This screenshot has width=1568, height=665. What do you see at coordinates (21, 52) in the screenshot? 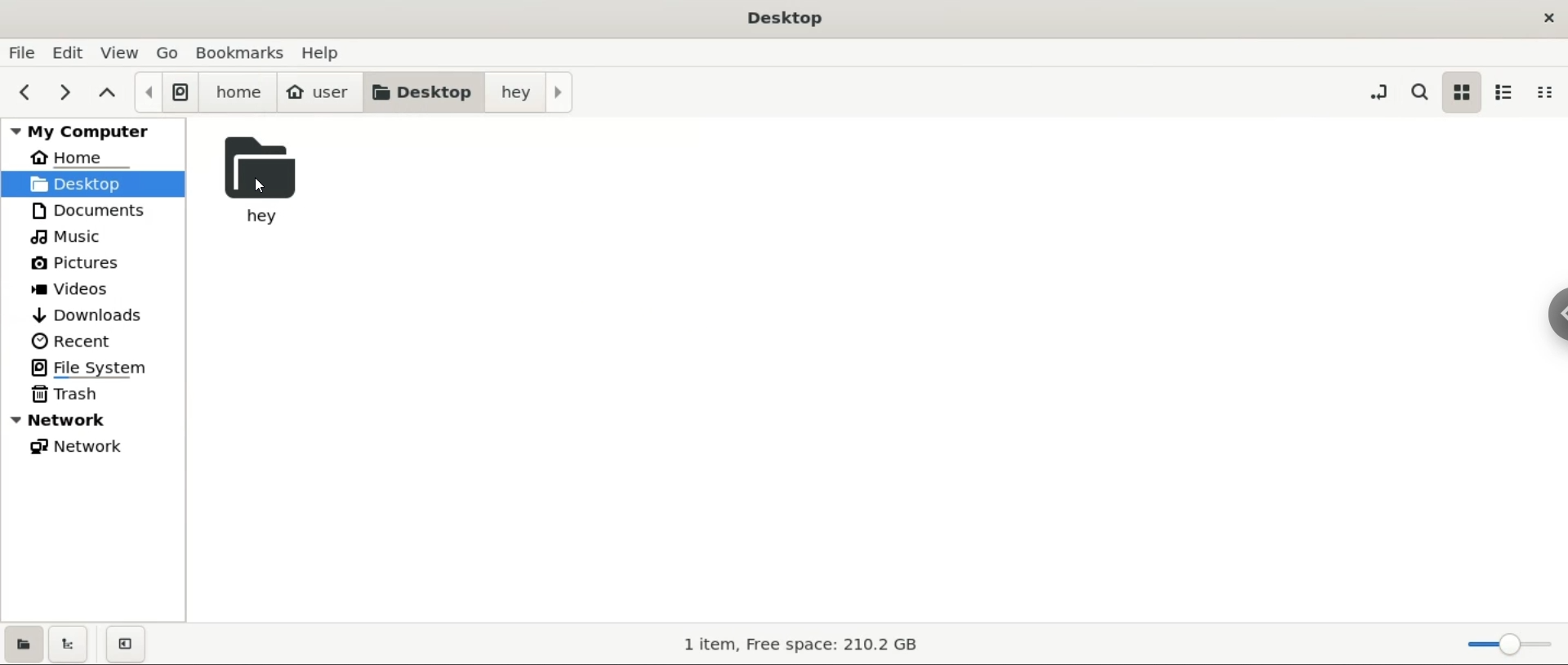
I see `file` at bounding box center [21, 52].